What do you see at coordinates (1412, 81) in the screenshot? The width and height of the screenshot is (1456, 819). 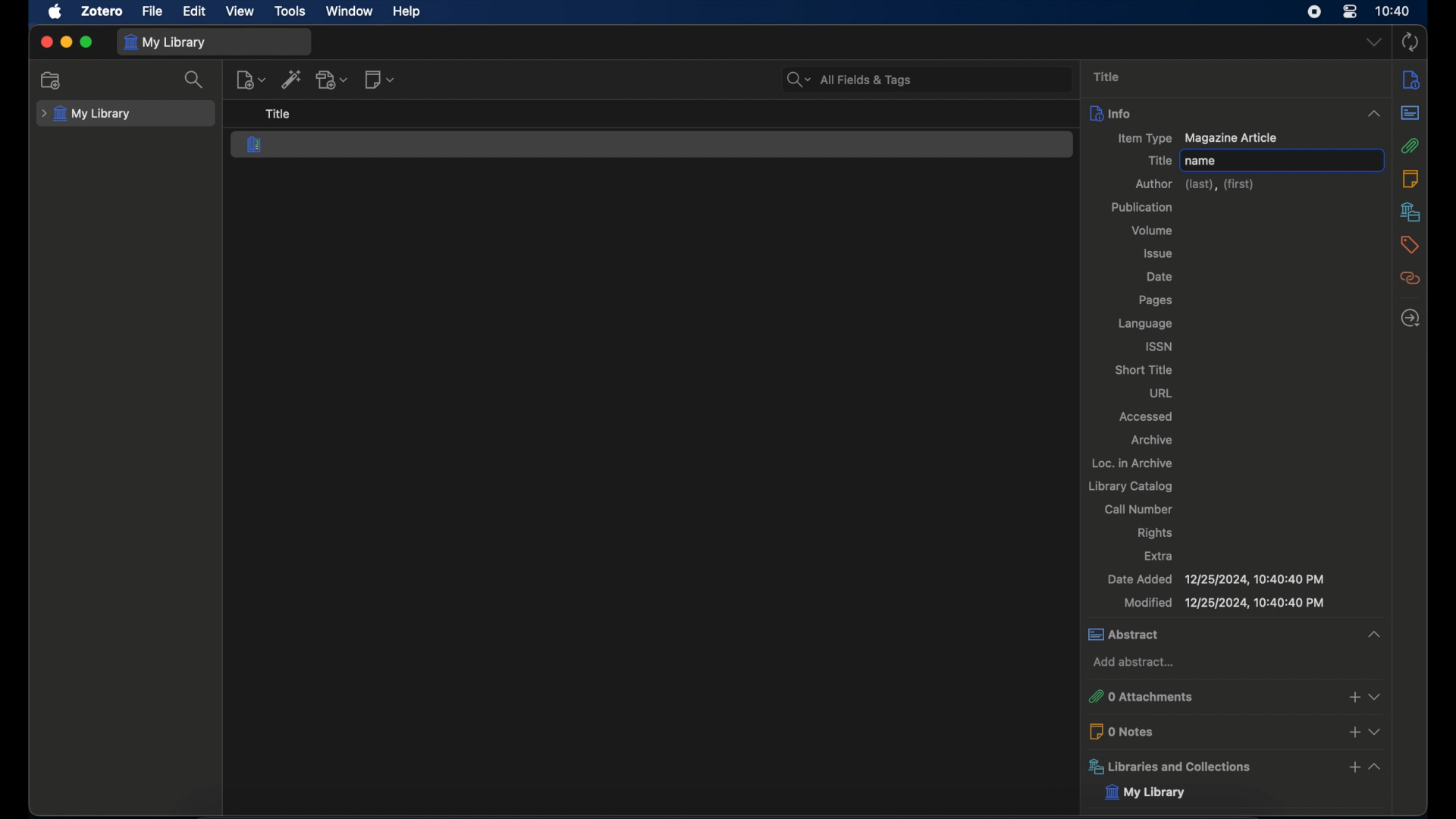 I see `info` at bounding box center [1412, 81].